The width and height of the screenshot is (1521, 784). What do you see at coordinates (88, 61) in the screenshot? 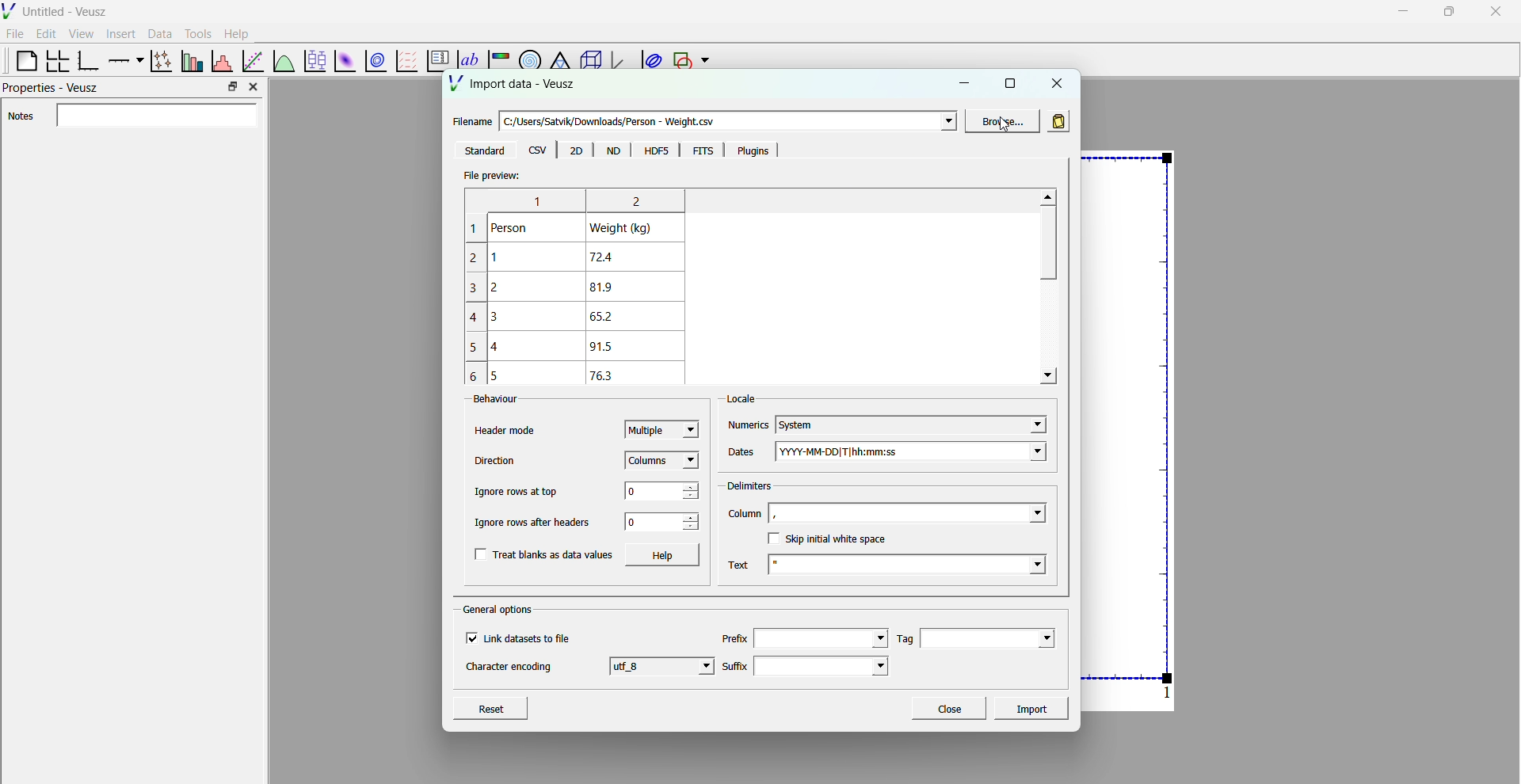
I see `base graph` at bounding box center [88, 61].